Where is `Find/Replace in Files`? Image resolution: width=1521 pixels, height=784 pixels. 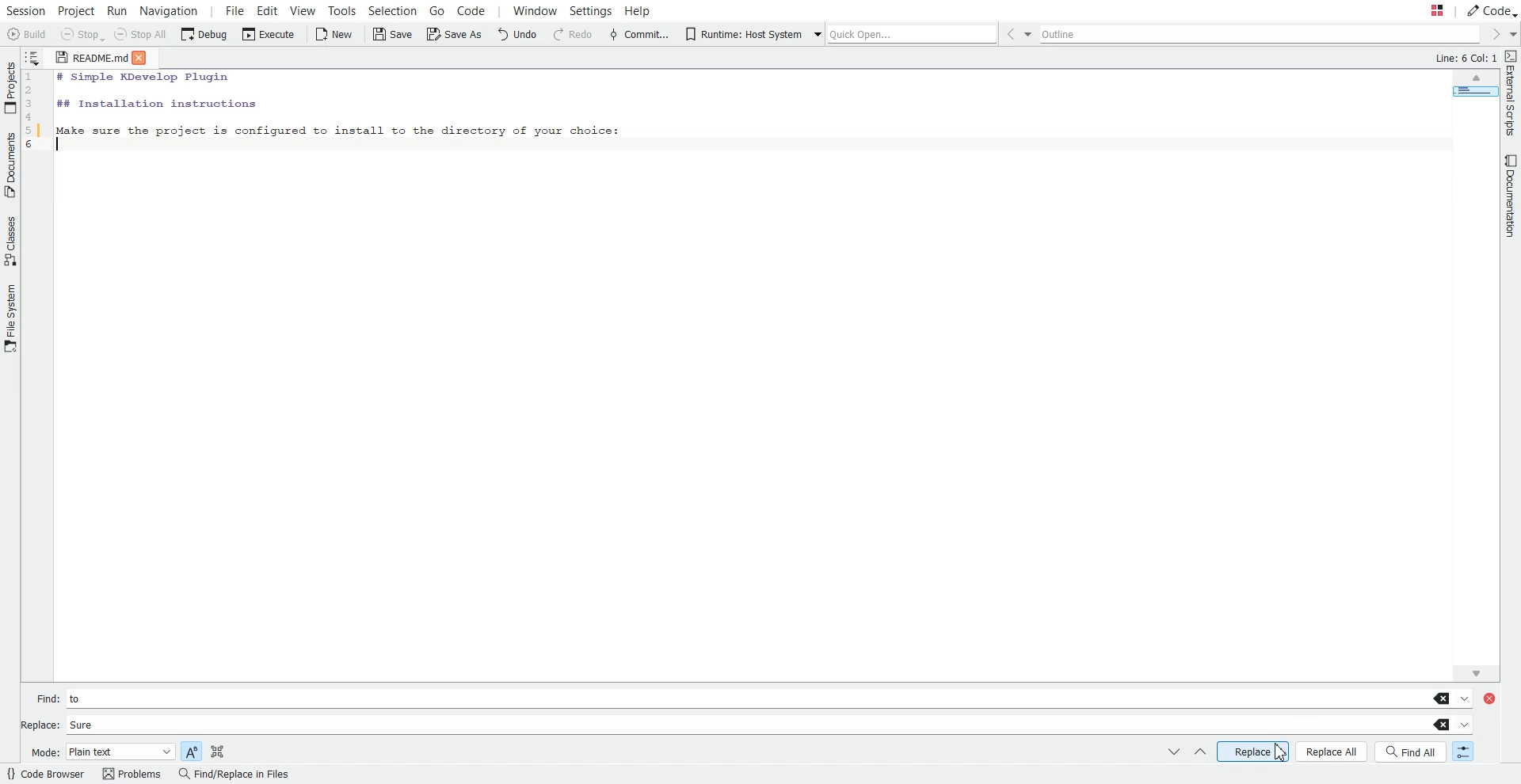 Find/Replace in Files is located at coordinates (233, 774).